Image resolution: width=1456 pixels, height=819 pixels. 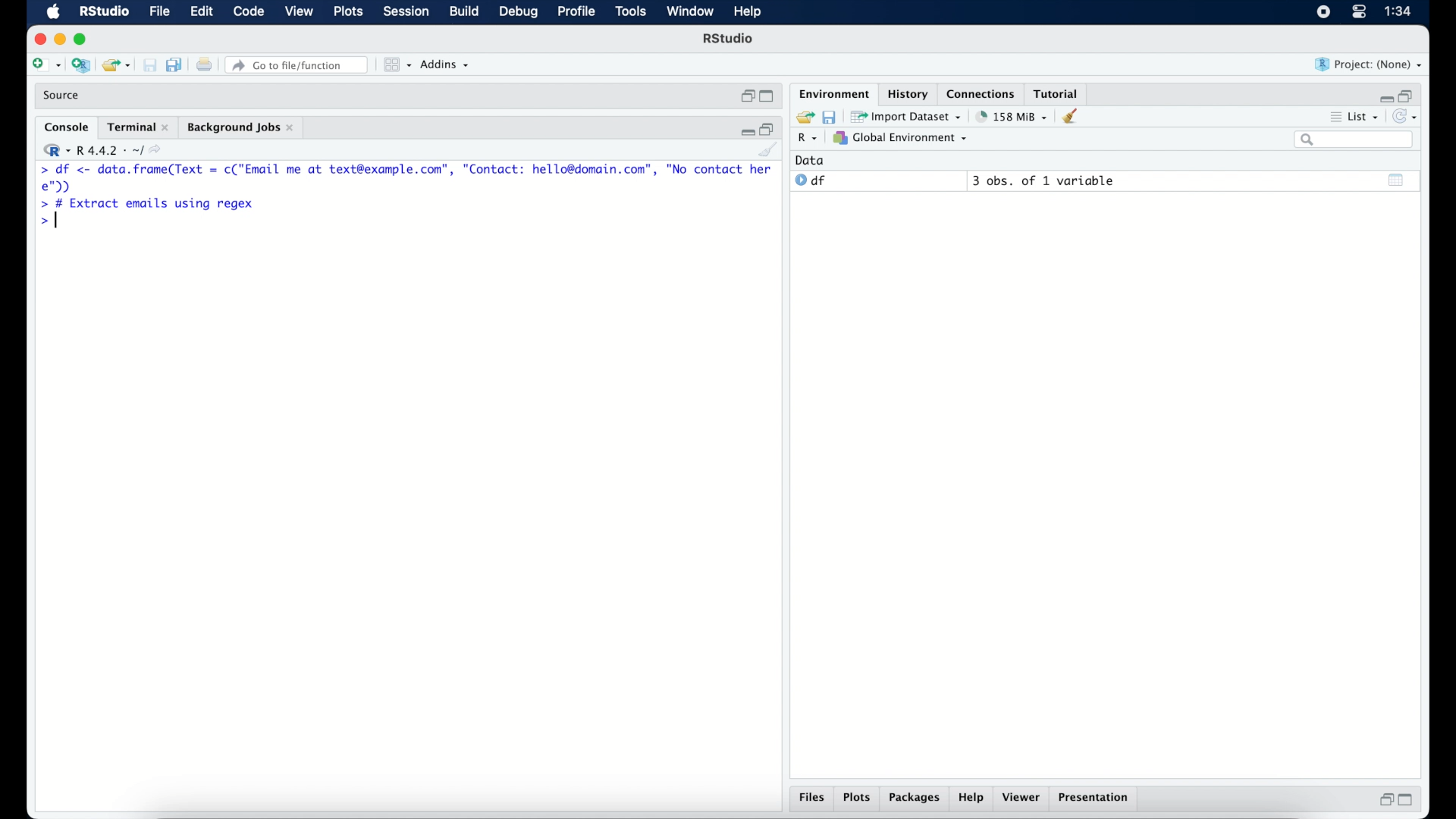 What do you see at coordinates (137, 127) in the screenshot?
I see `terminal` at bounding box center [137, 127].